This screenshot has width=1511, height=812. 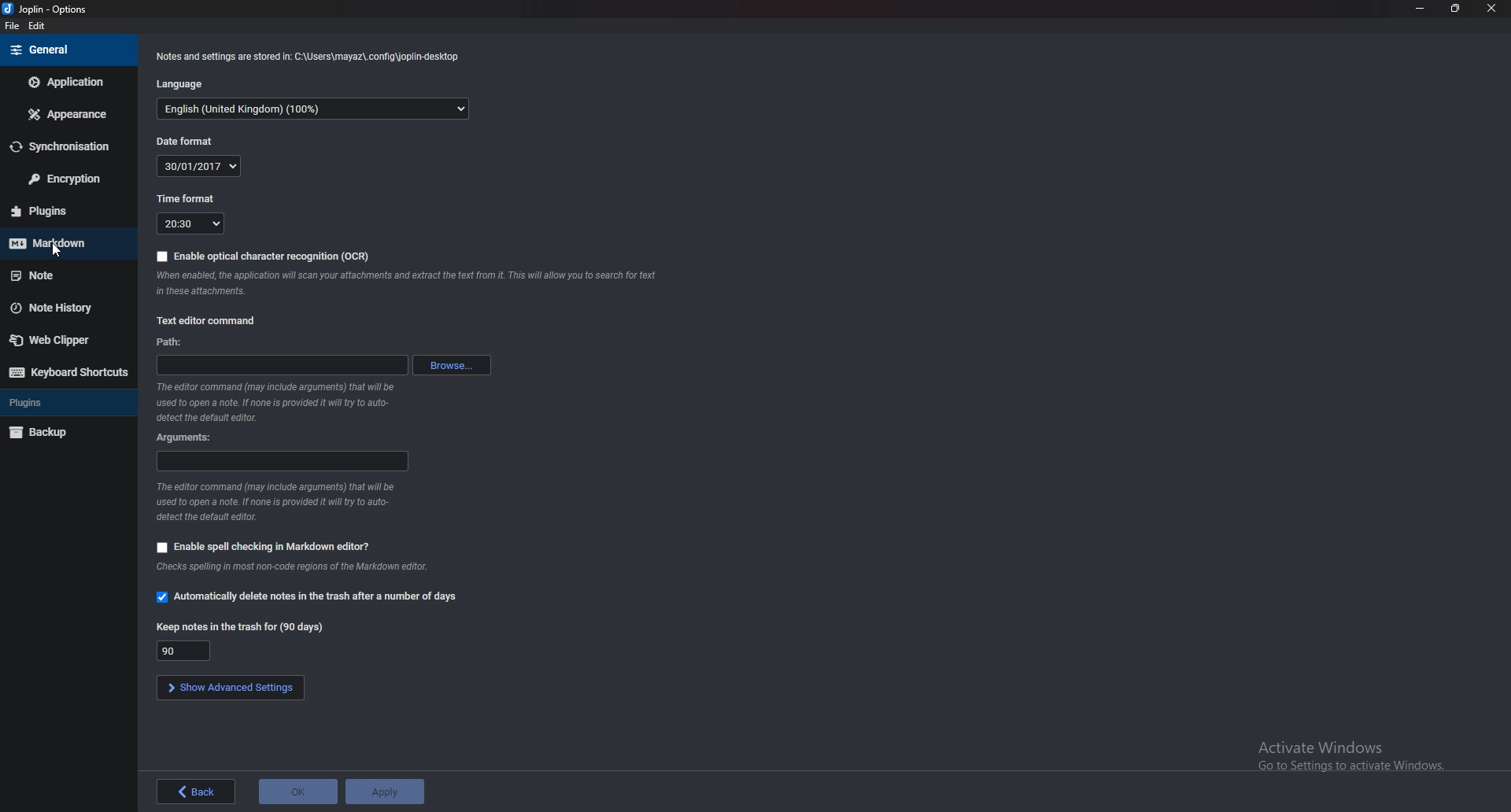 What do you see at coordinates (299, 790) in the screenshot?
I see `ok` at bounding box center [299, 790].